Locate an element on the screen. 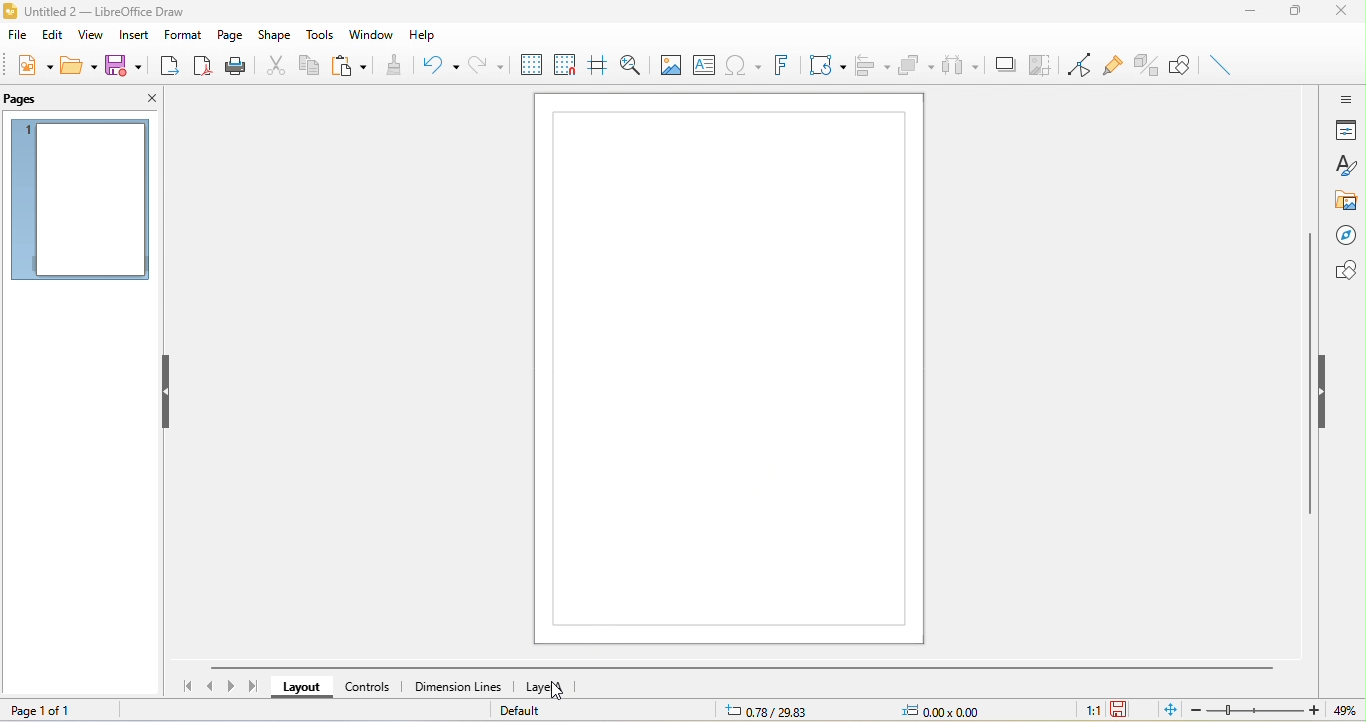 This screenshot has height=722, width=1366. close is located at coordinates (148, 97).